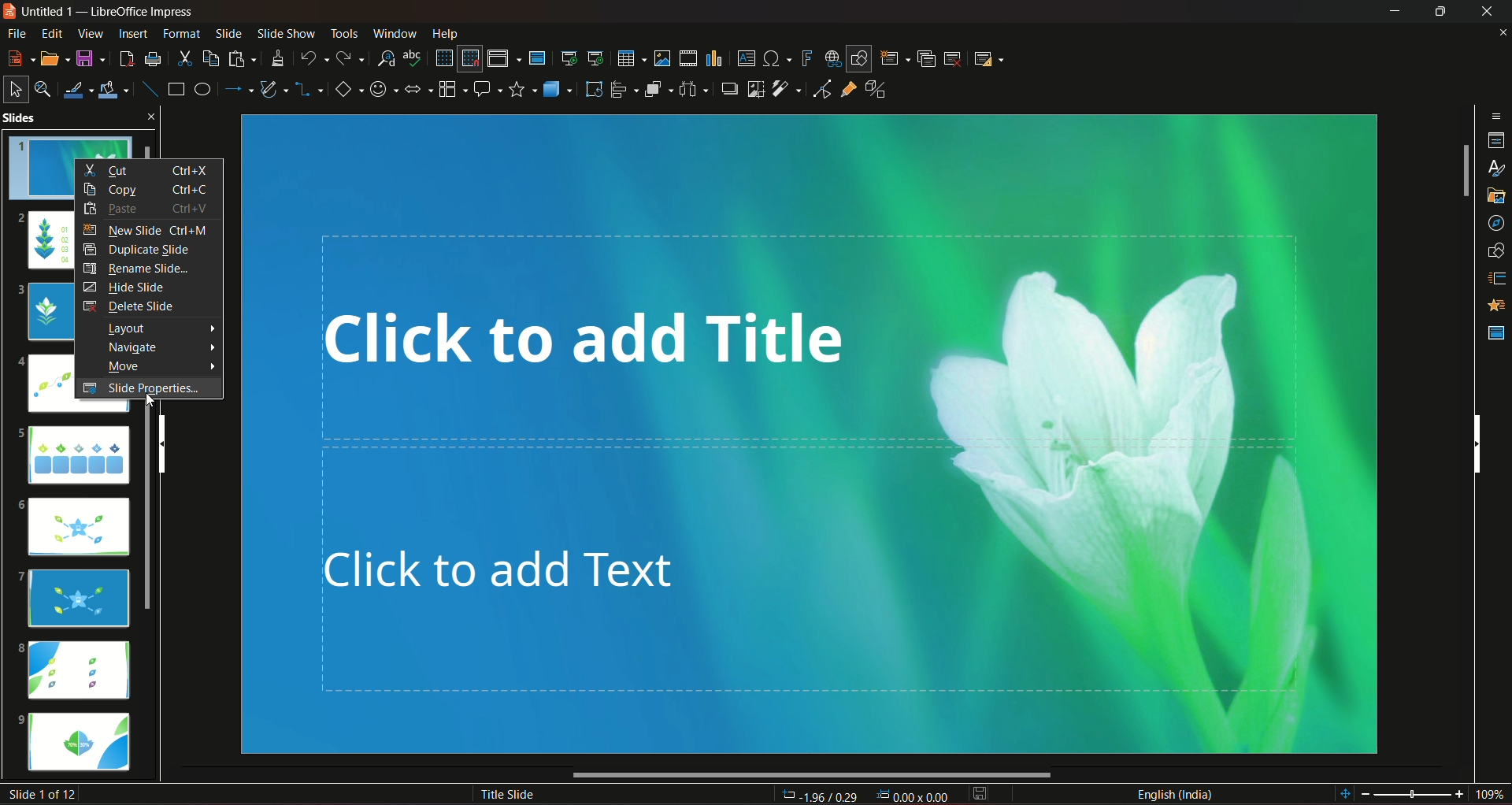 The height and width of the screenshot is (805, 1512). What do you see at coordinates (59, 117) in the screenshot?
I see `slides` at bounding box center [59, 117].